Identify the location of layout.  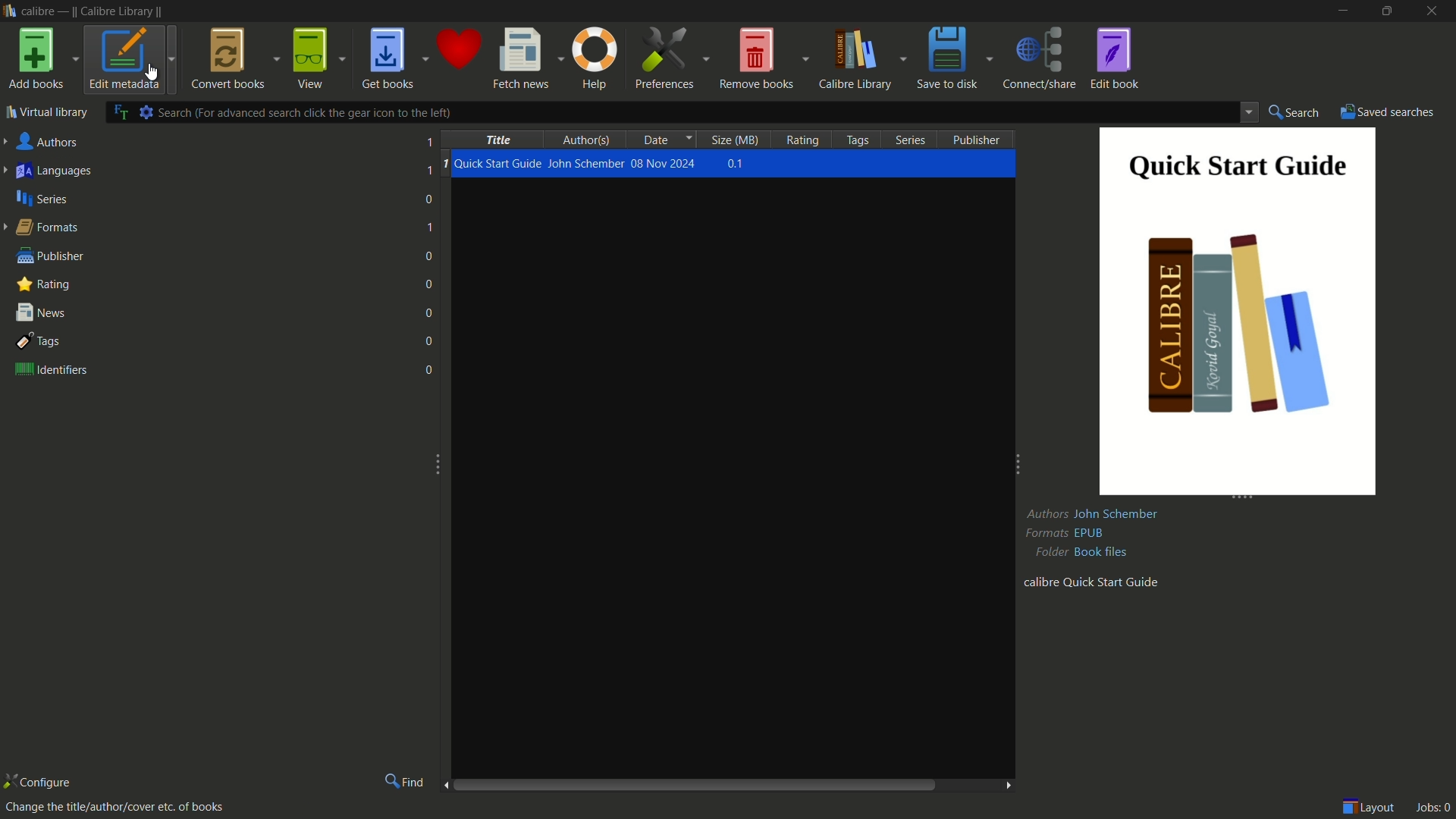
(1368, 808).